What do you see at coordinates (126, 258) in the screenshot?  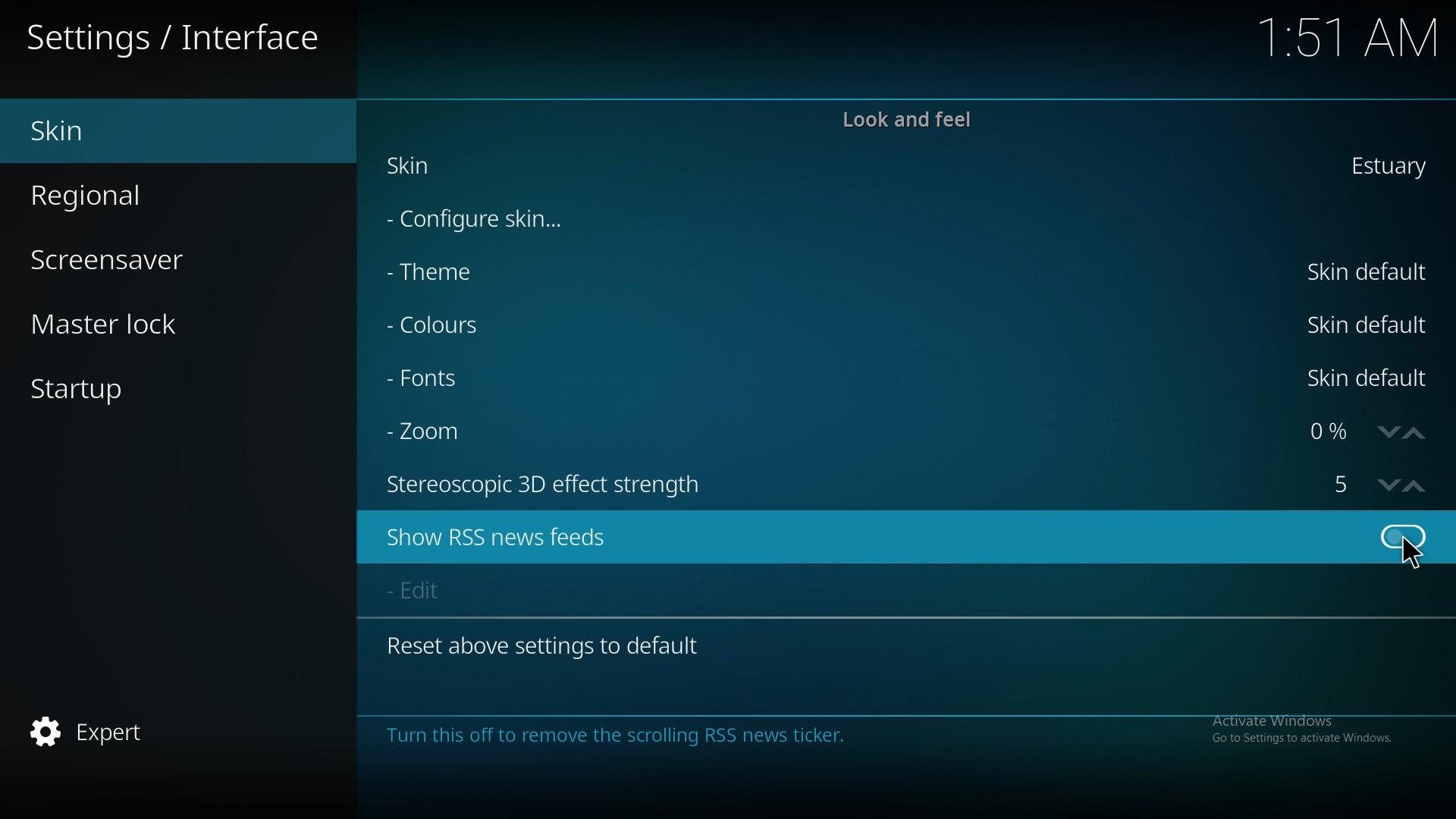 I see `screensaver` at bounding box center [126, 258].